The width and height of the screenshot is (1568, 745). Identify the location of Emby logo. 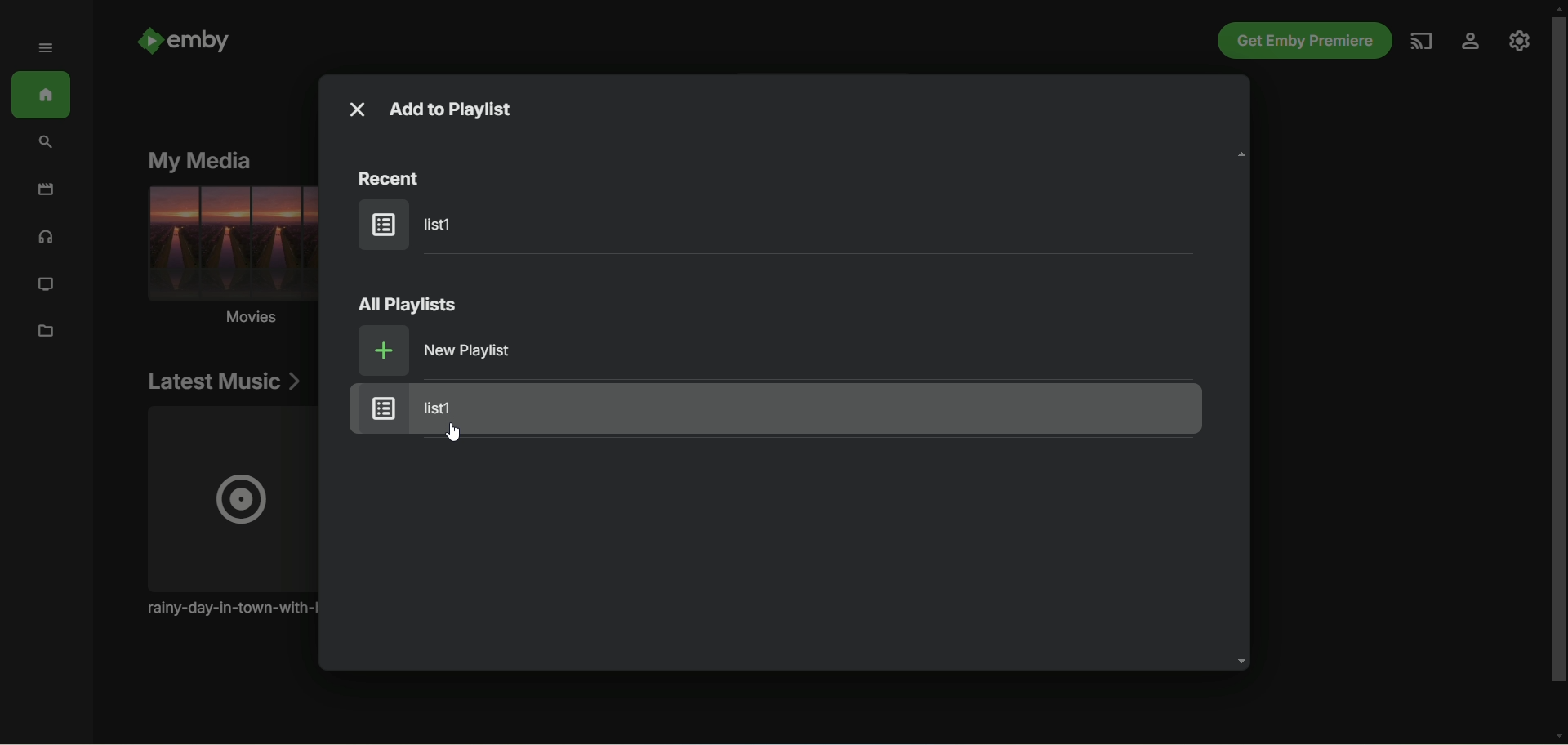
(149, 41).